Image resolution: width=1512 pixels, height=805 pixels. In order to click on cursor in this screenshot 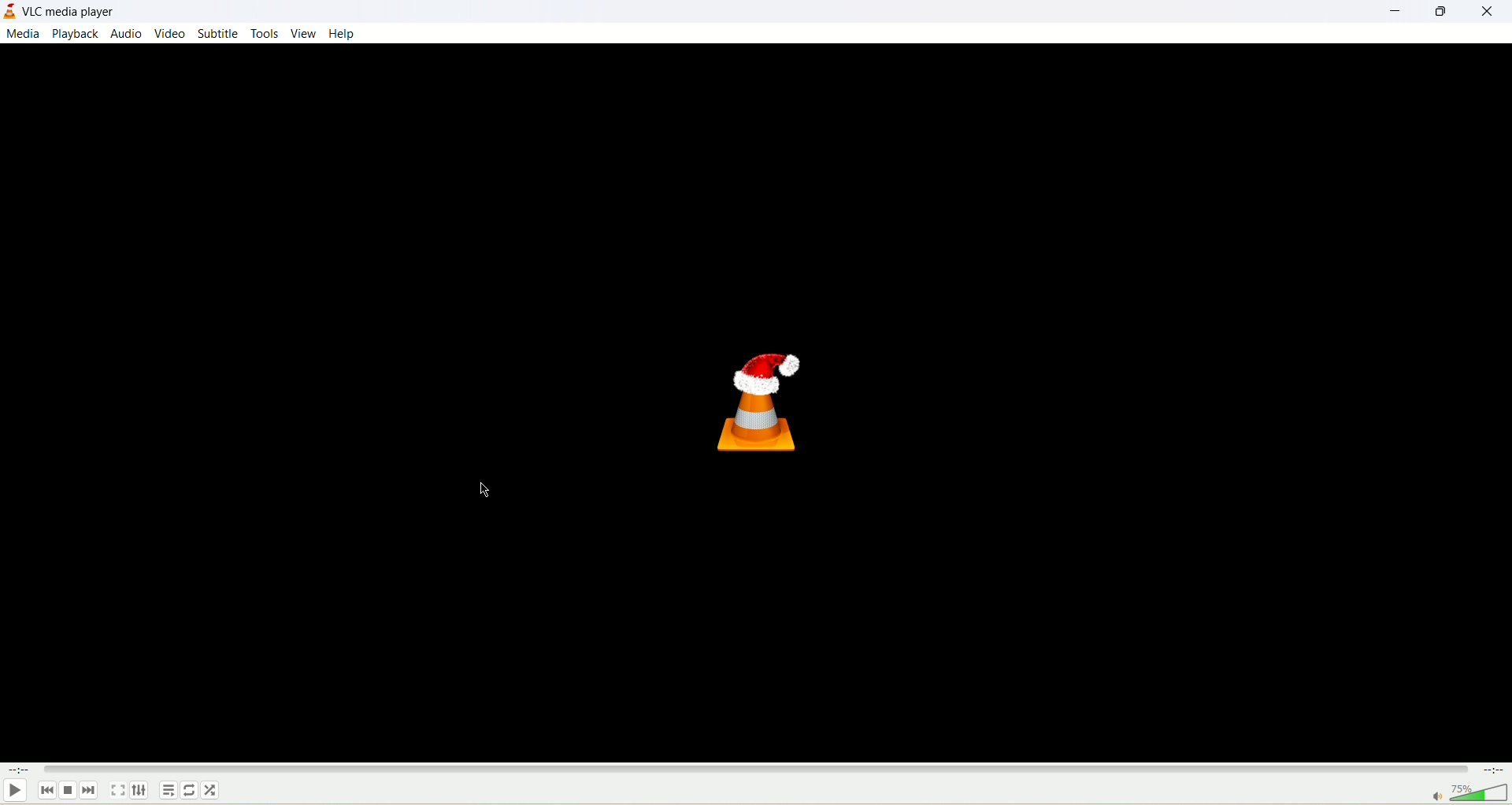, I will do `click(487, 489)`.